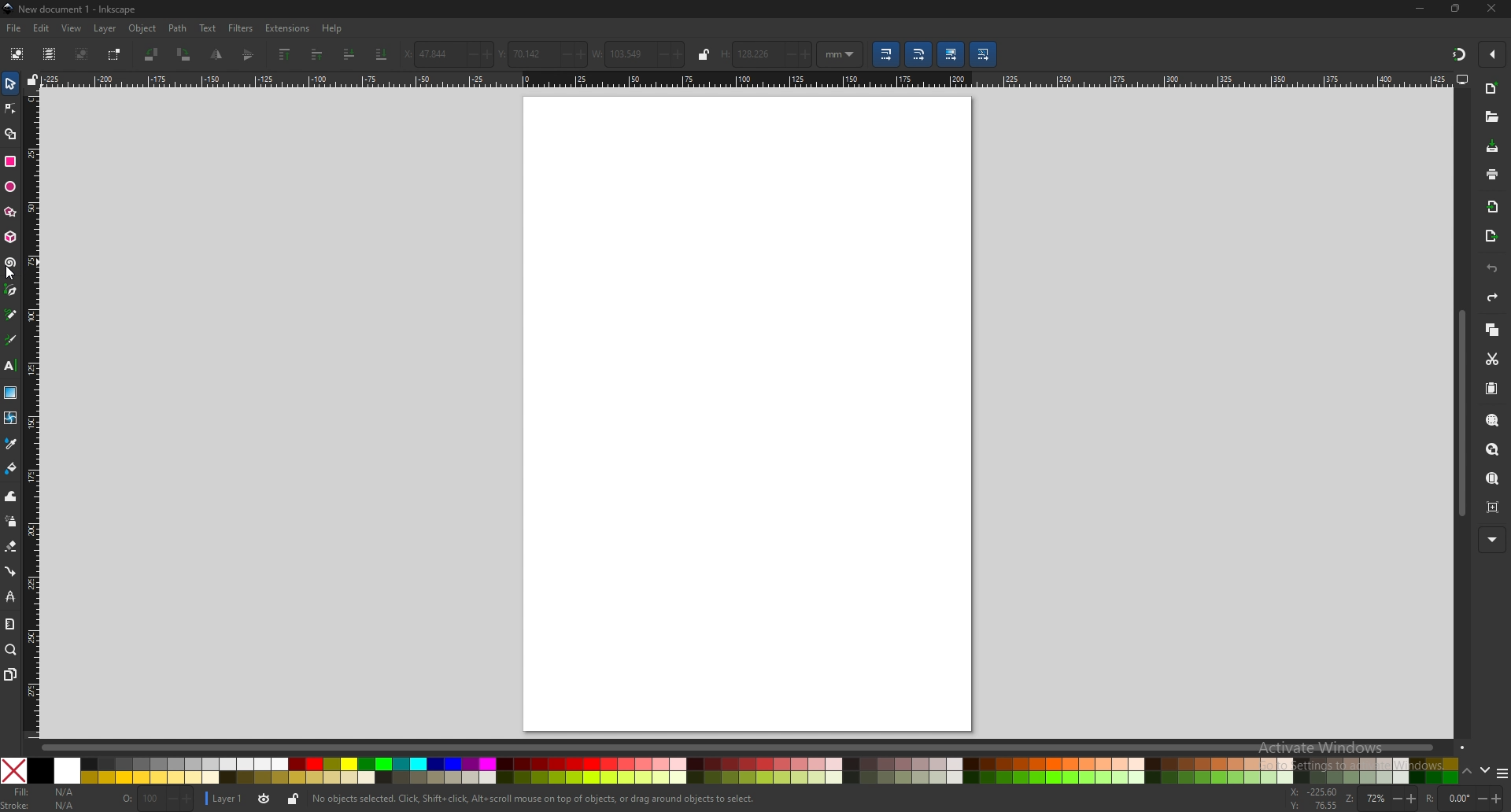 This screenshot has height=812, width=1511. Describe the element at coordinates (1492, 329) in the screenshot. I see `copy` at that location.